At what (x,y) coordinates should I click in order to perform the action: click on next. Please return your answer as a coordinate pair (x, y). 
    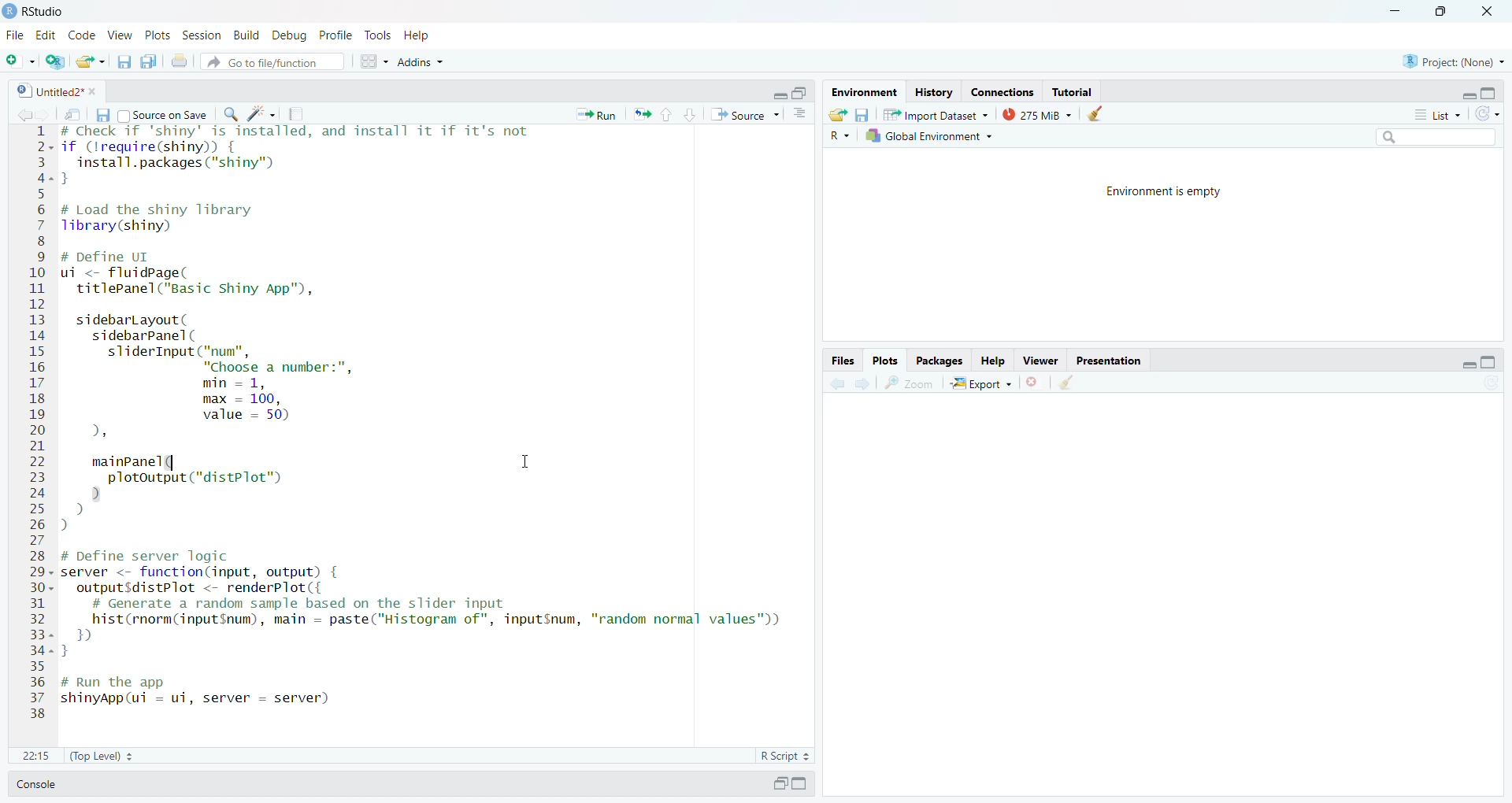
    Looking at the image, I should click on (864, 383).